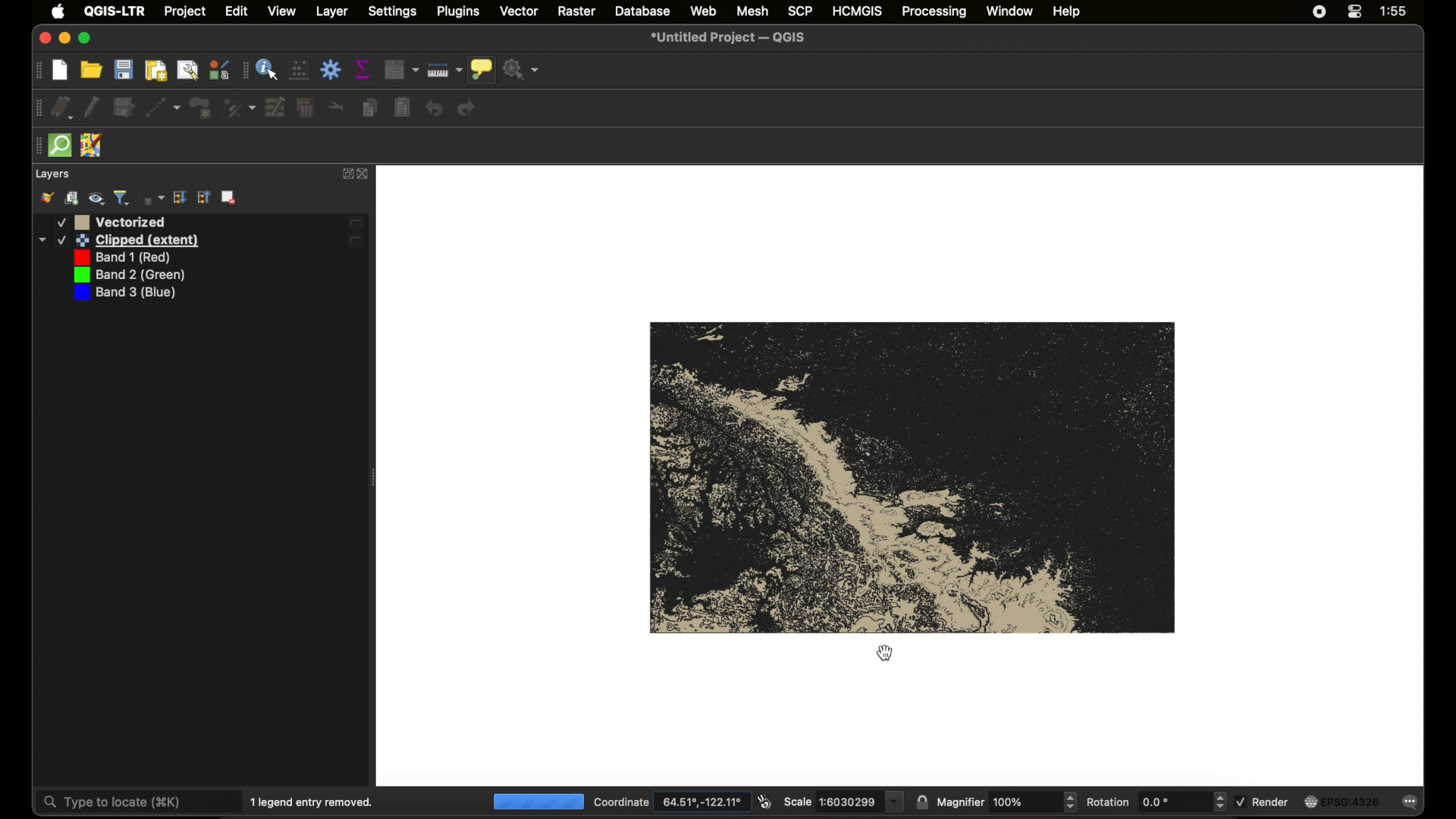 The width and height of the screenshot is (1456, 819). I want to click on polygon feature, so click(200, 108).